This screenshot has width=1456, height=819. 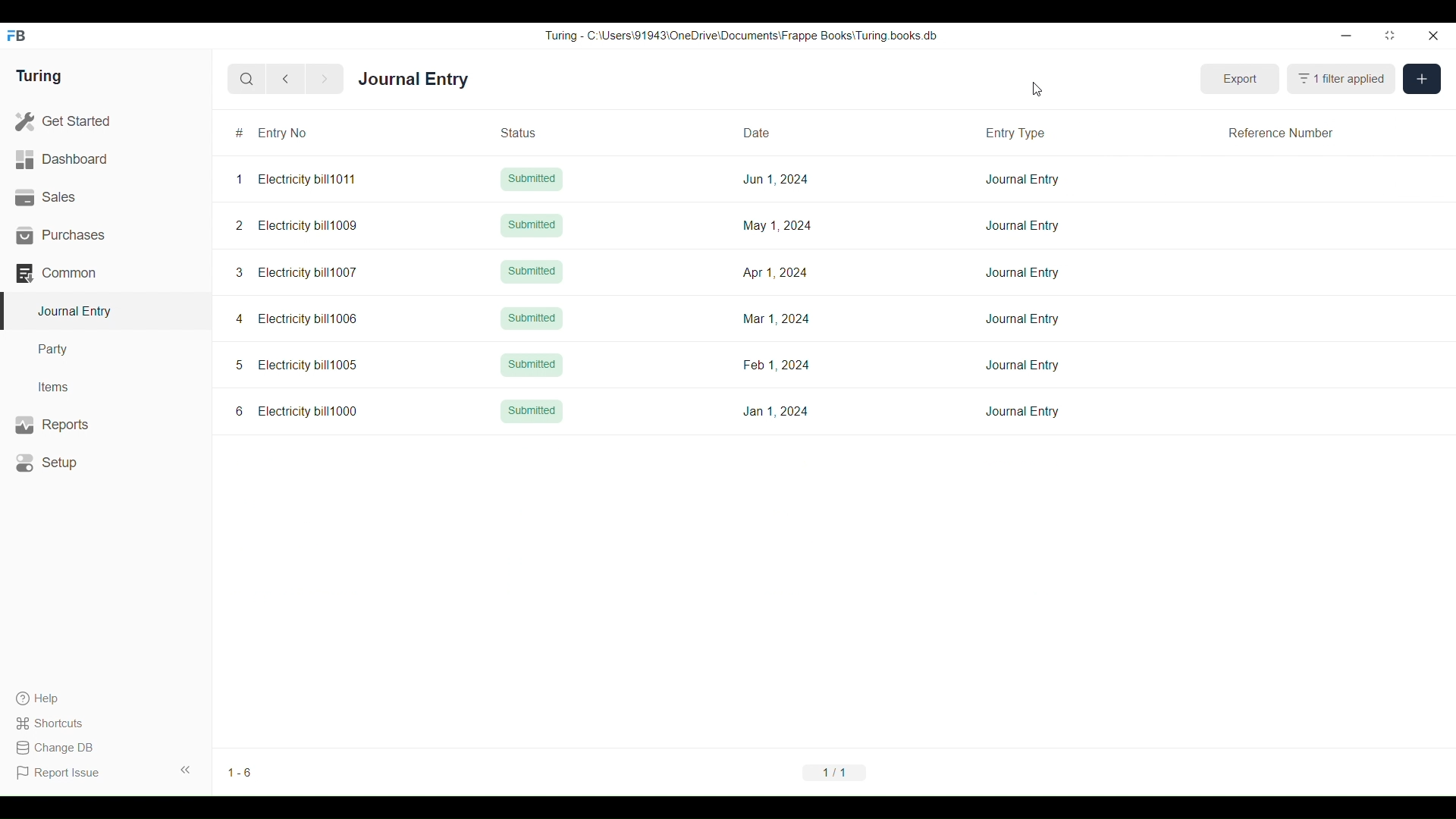 I want to click on Reports, so click(x=107, y=425).